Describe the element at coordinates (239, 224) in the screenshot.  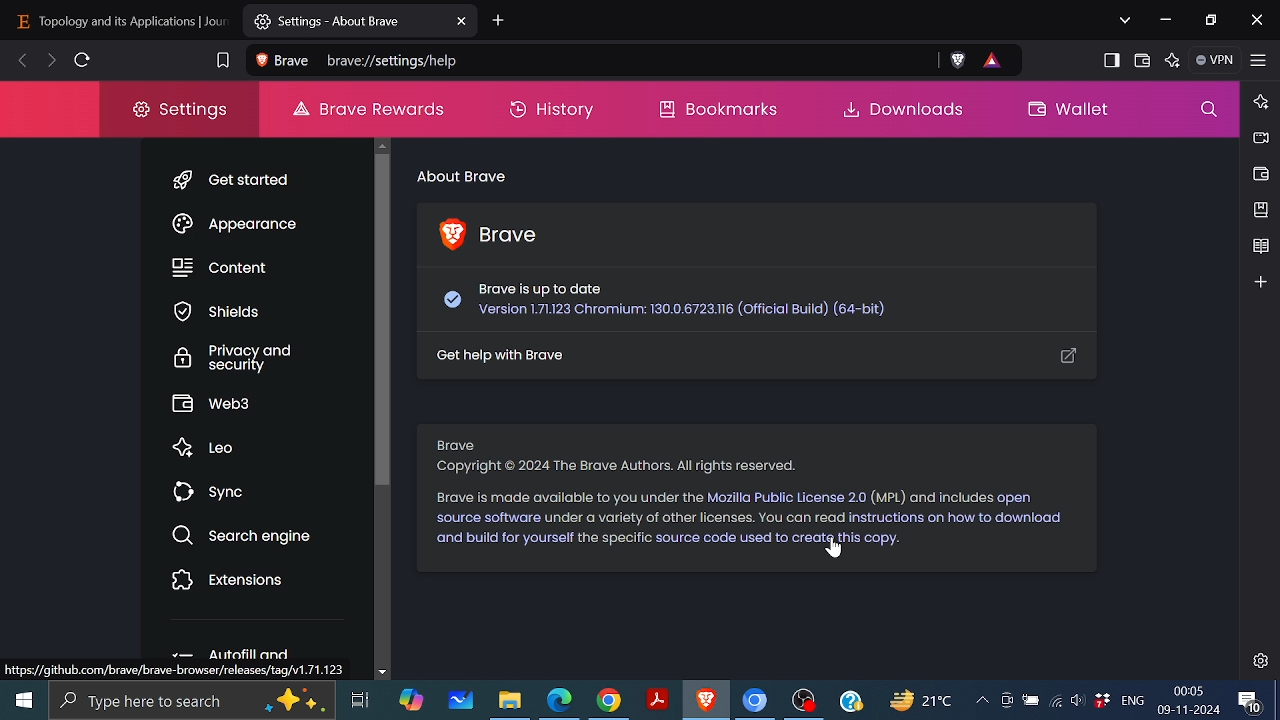
I see `Appearences` at that location.